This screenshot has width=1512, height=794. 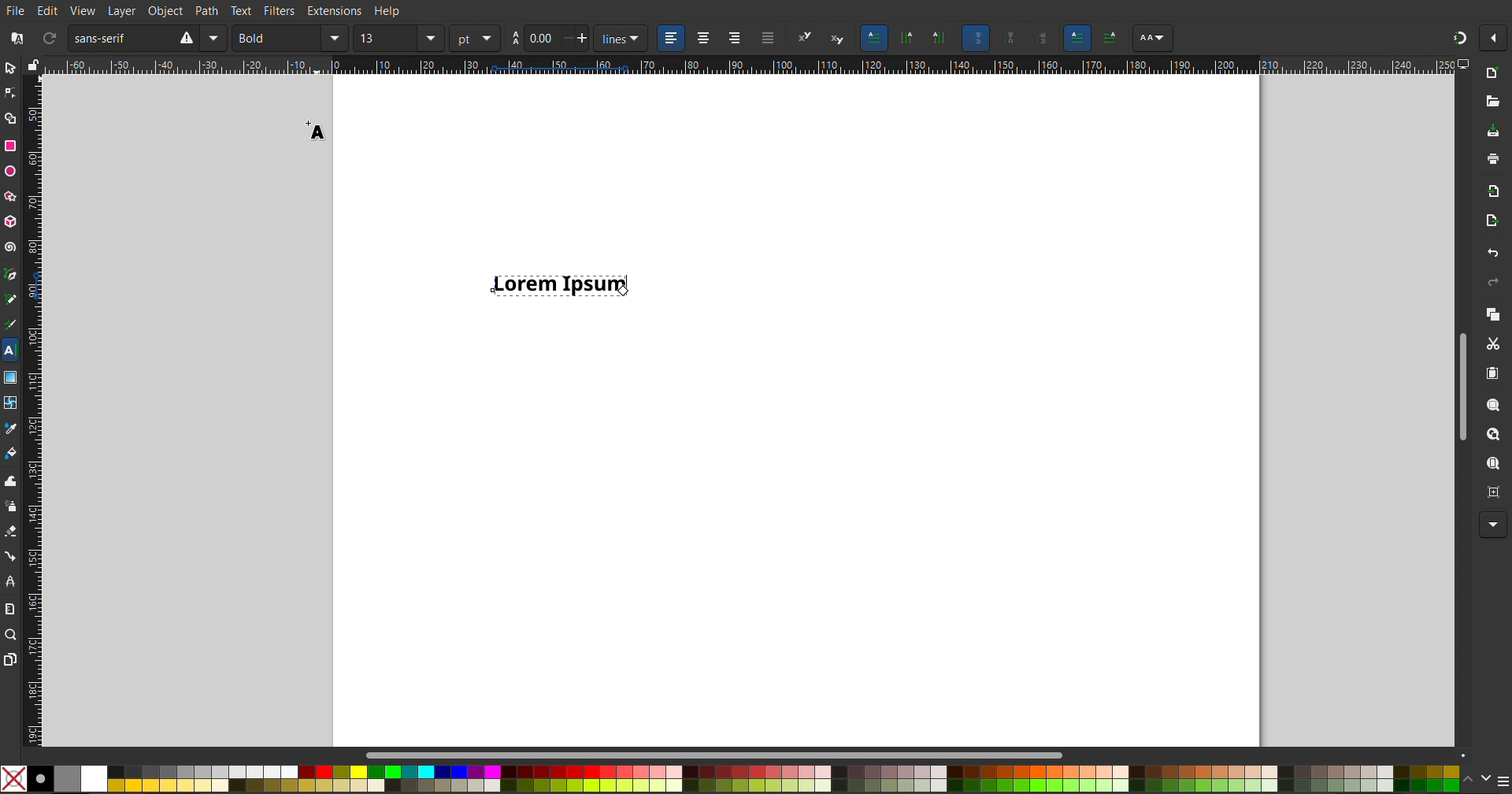 What do you see at coordinates (1484, 778) in the screenshot?
I see `Color Options` at bounding box center [1484, 778].